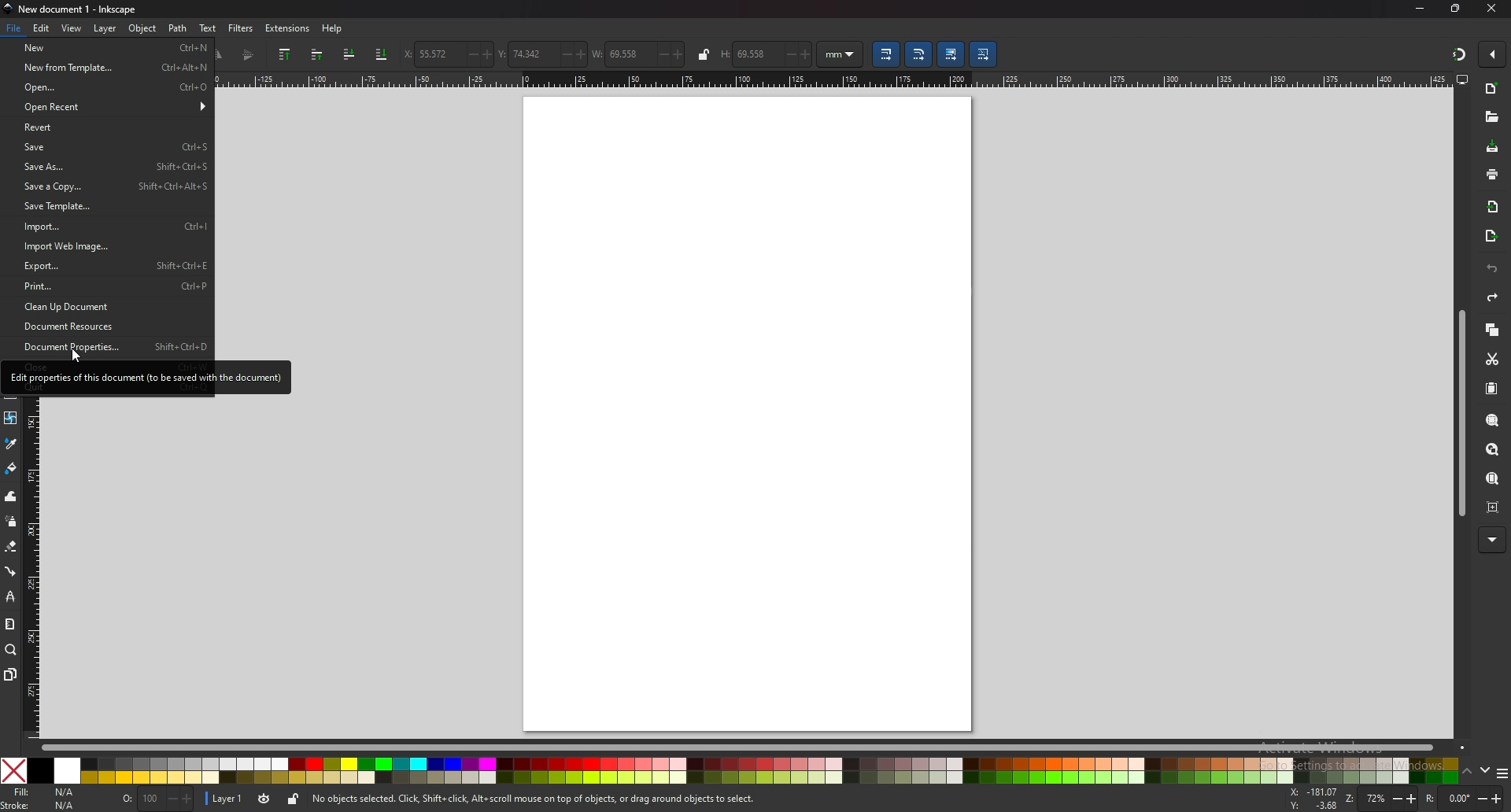 This screenshot has height=812, width=1511. Describe the element at coordinates (749, 414) in the screenshot. I see `blank page` at that location.